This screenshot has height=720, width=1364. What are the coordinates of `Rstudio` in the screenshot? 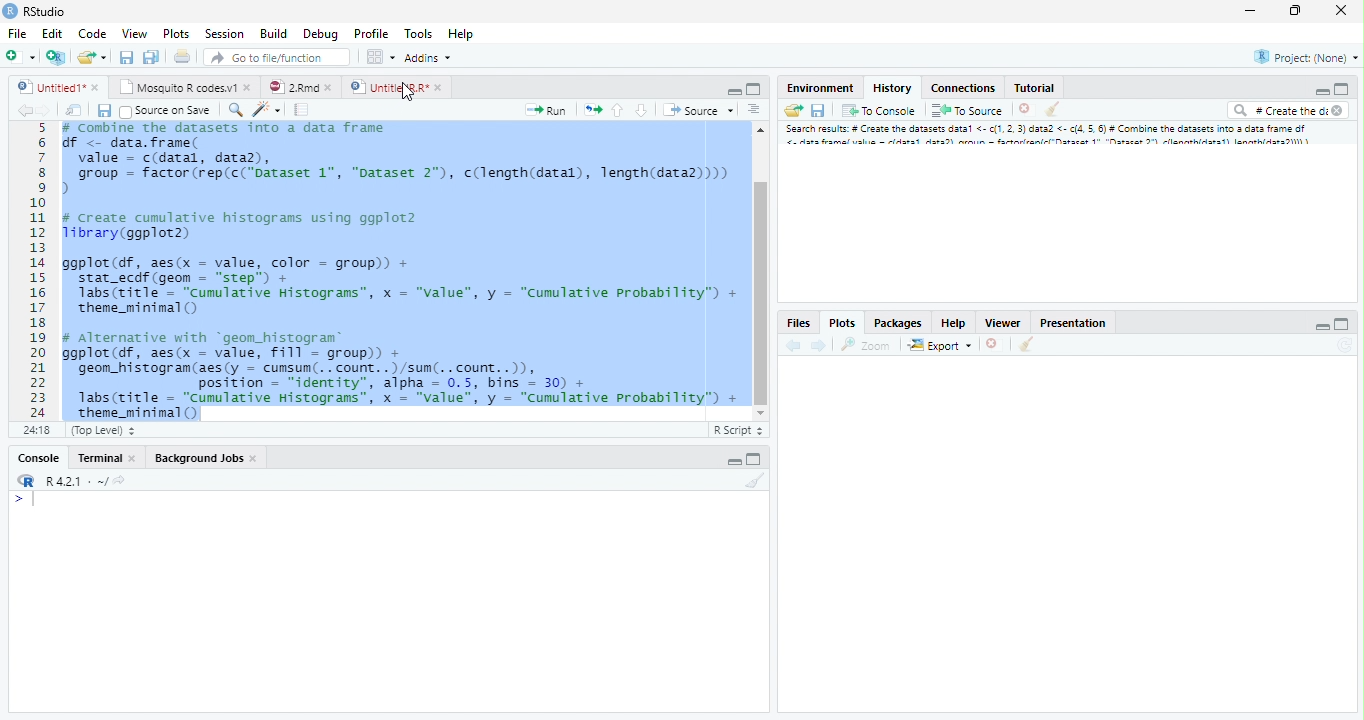 It's located at (34, 10).